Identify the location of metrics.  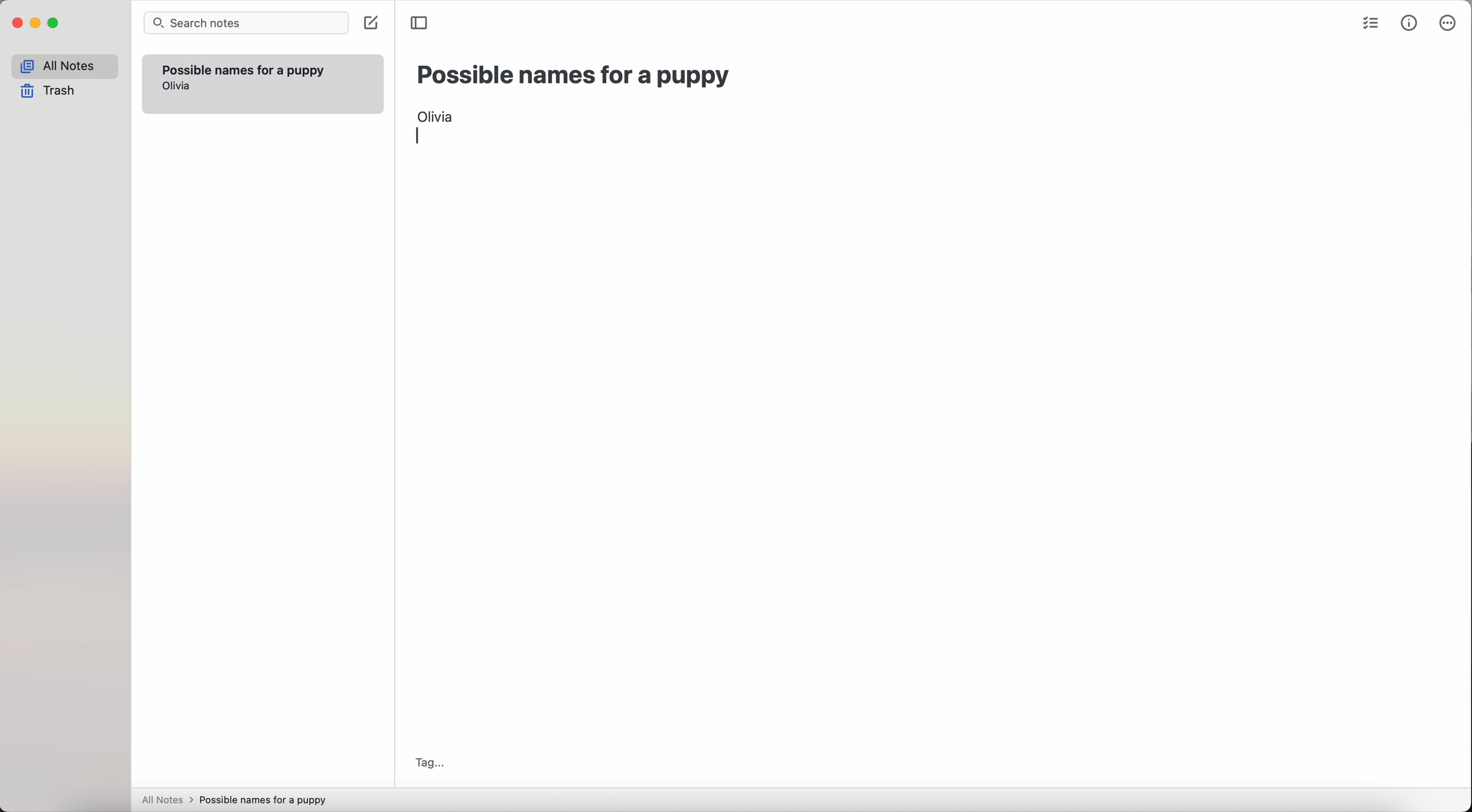
(1410, 23).